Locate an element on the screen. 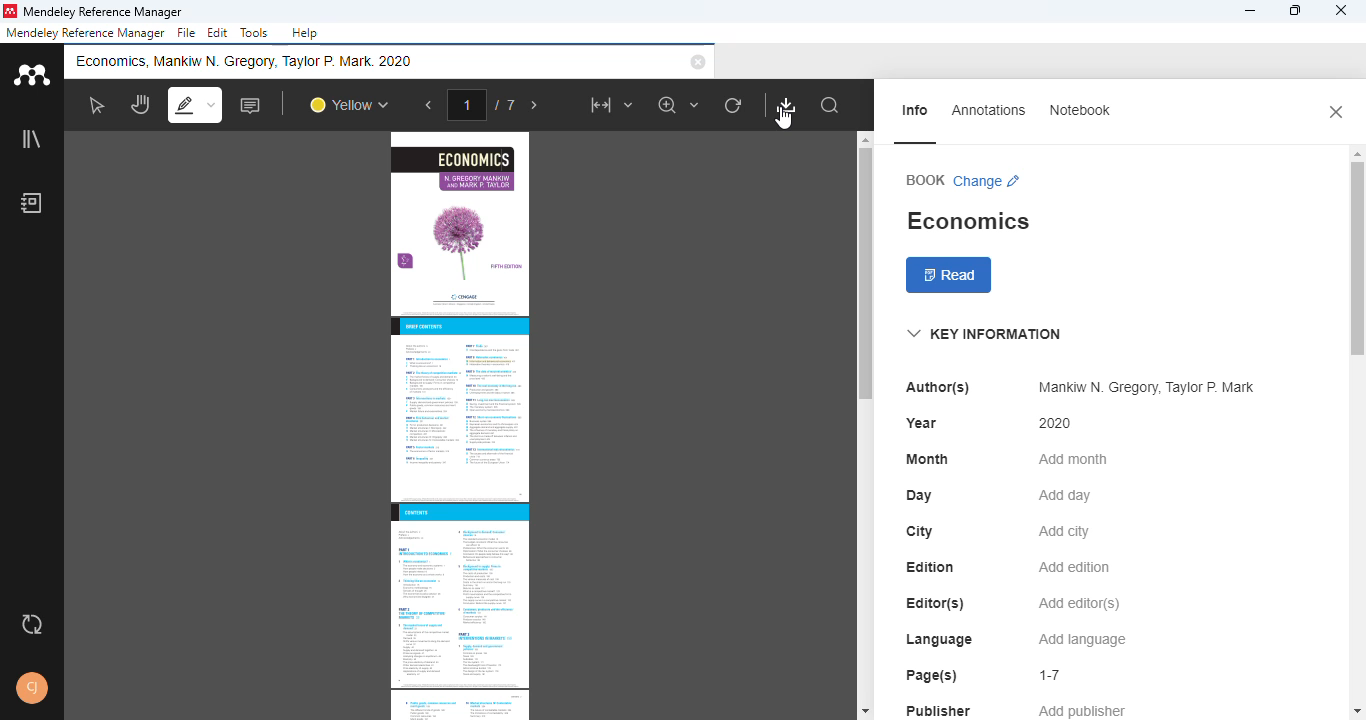 The height and width of the screenshot is (720, 1366). add city is located at coordinates (1064, 532).